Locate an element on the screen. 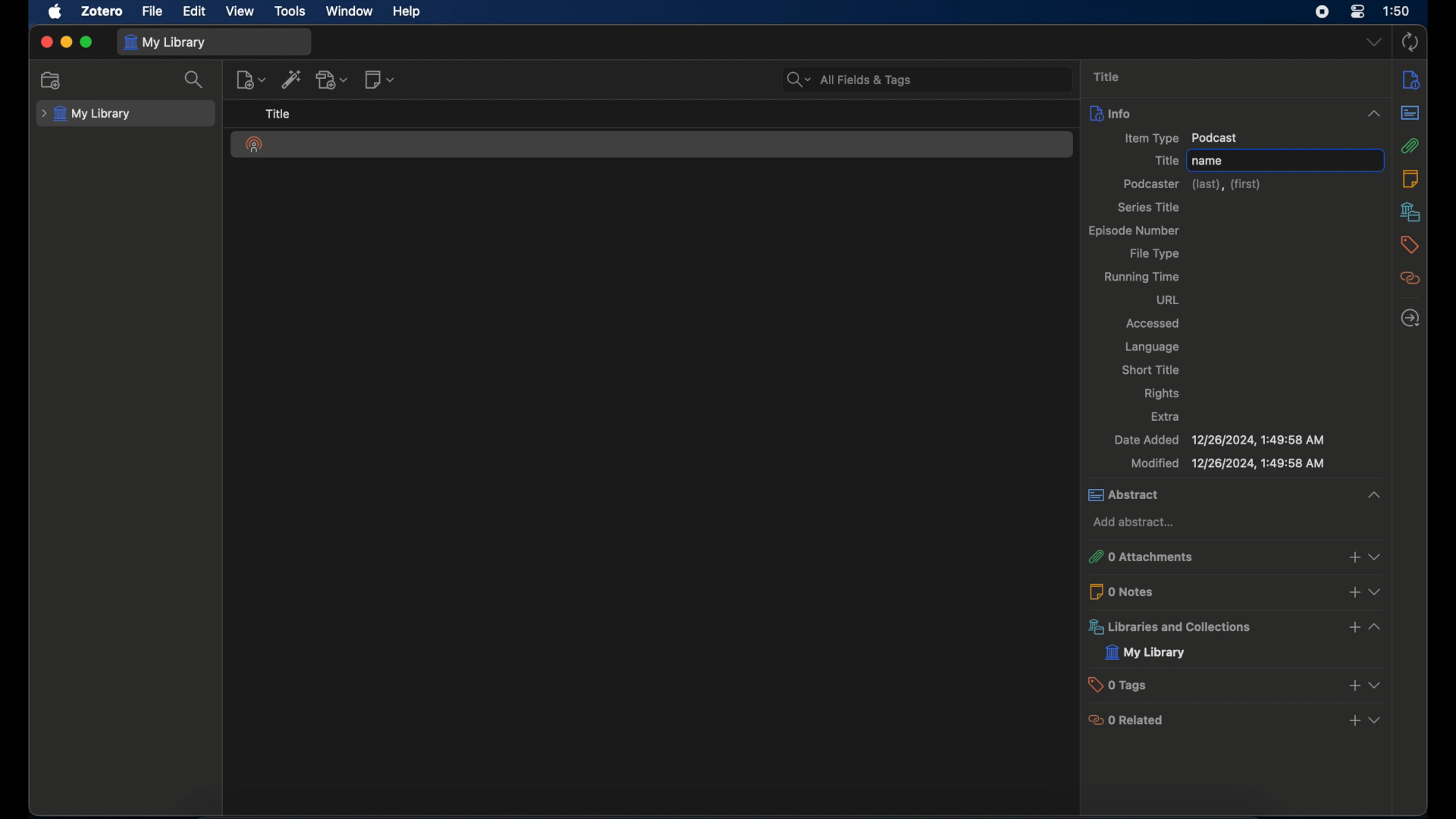  new collection is located at coordinates (54, 80).